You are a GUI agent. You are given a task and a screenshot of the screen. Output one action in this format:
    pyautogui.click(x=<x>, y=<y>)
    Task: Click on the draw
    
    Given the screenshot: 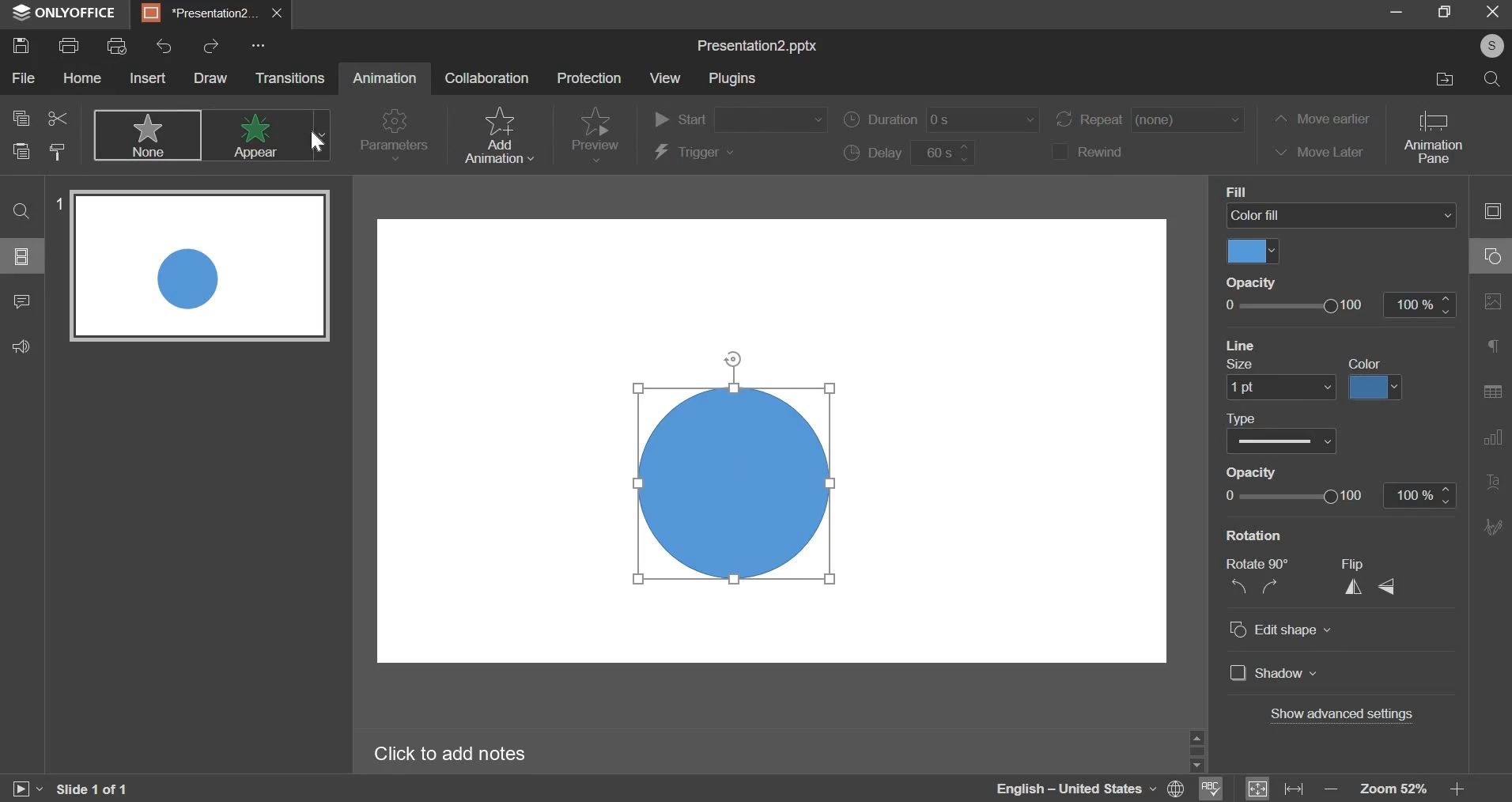 What is the action you would take?
    pyautogui.click(x=212, y=78)
    